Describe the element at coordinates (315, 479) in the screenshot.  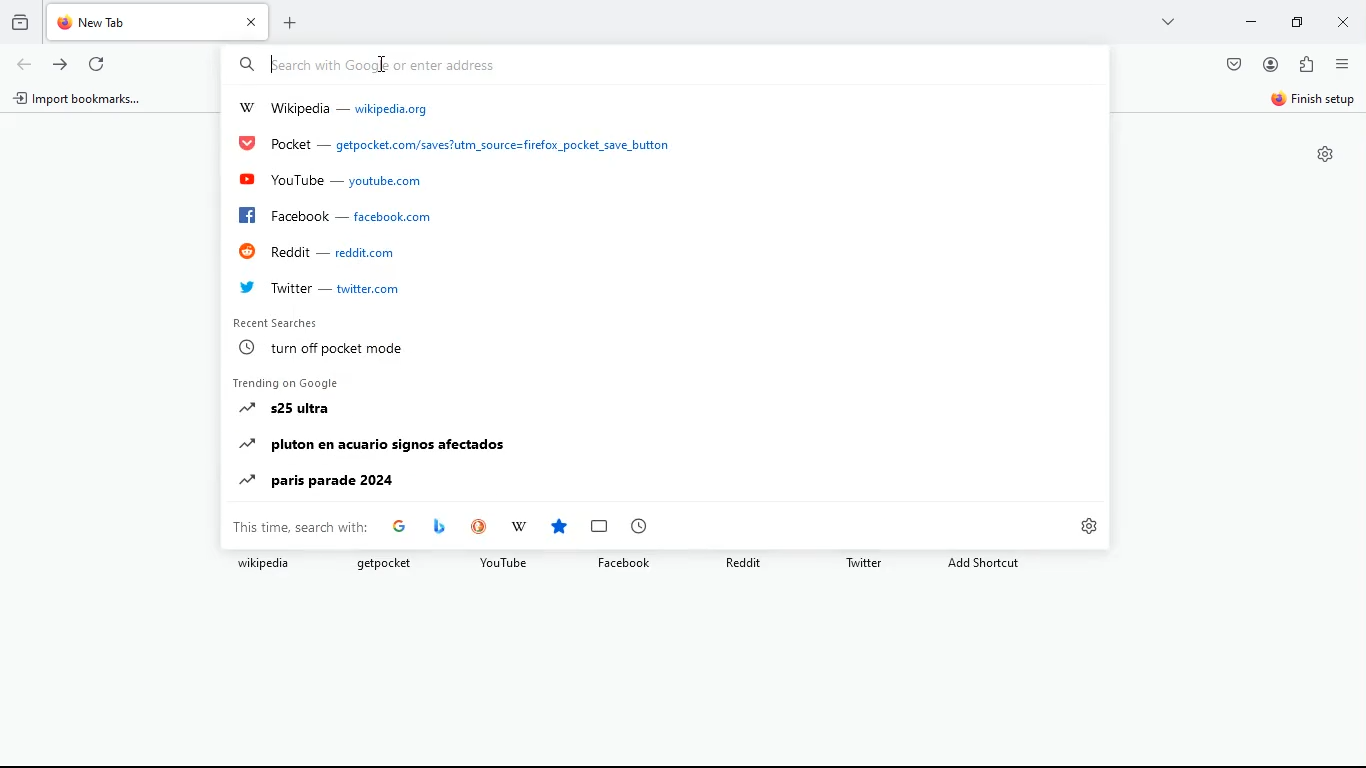
I see `~* paris parade 2024` at that location.